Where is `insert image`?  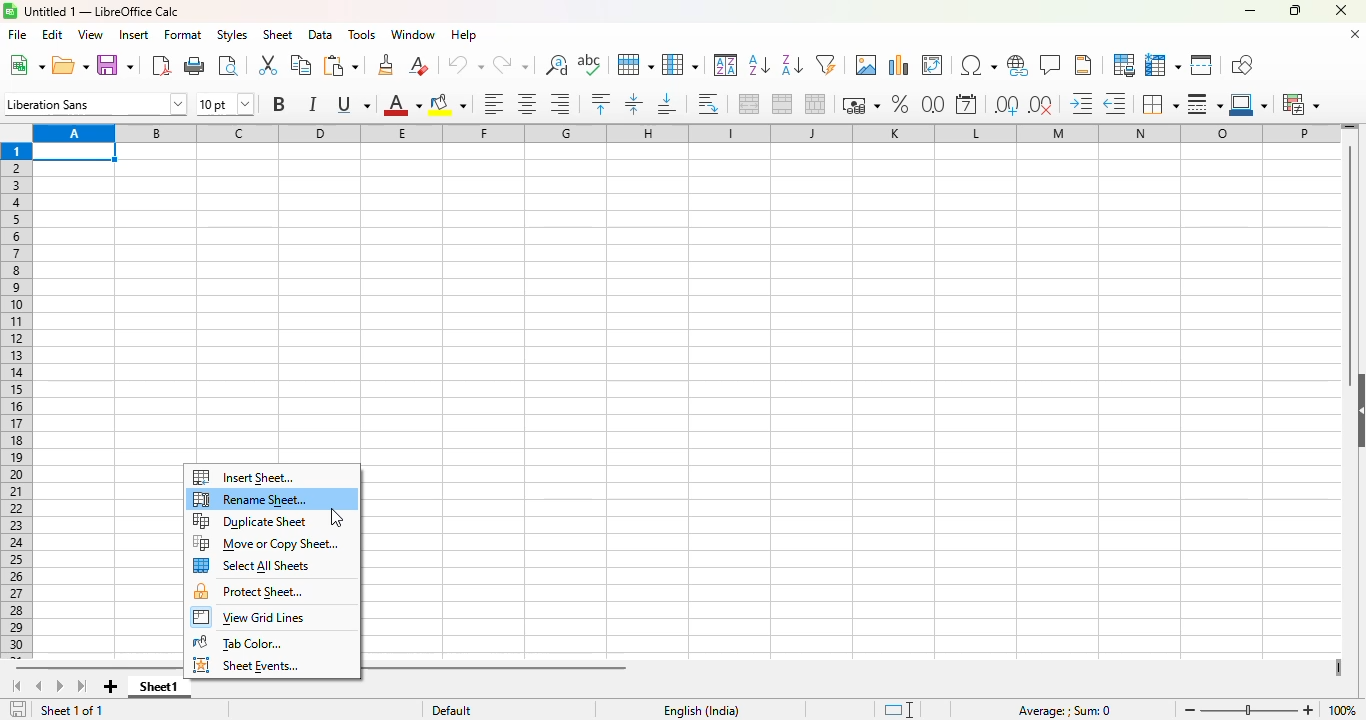 insert image is located at coordinates (865, 64).